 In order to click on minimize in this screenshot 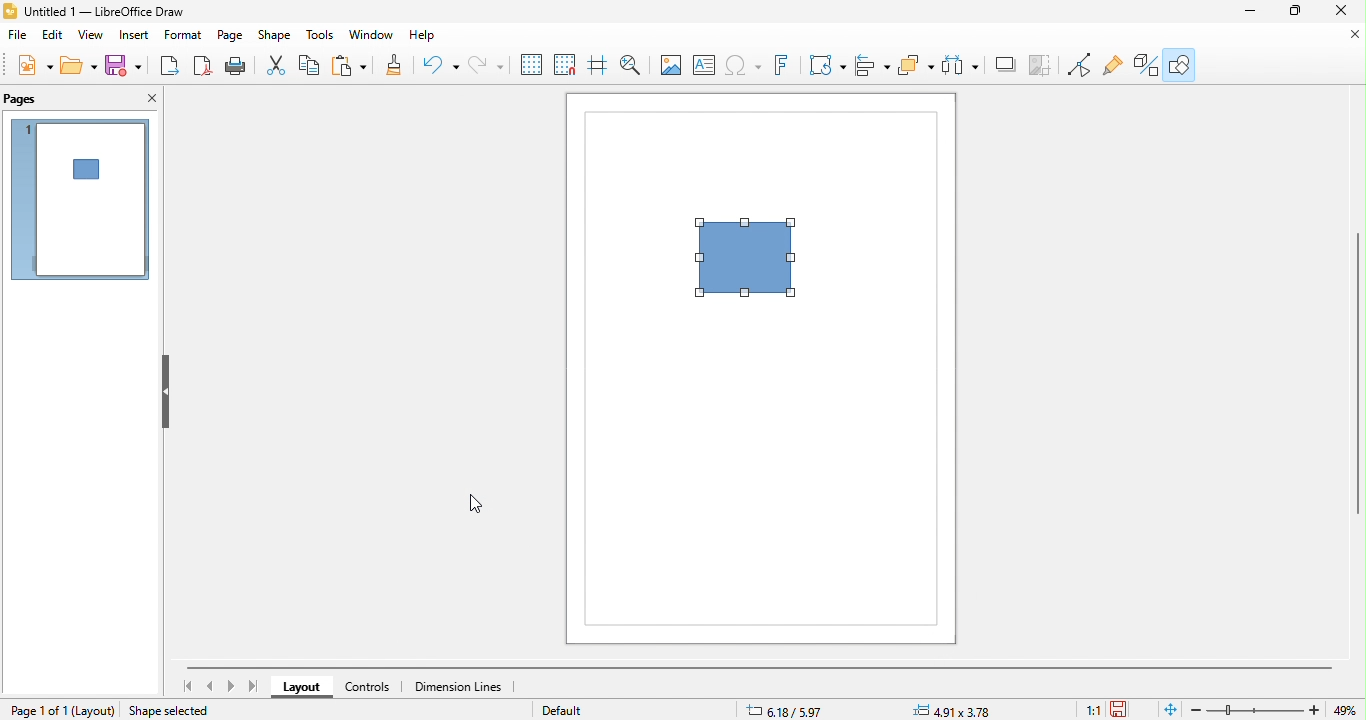, I will do `click(1348, 34)`.